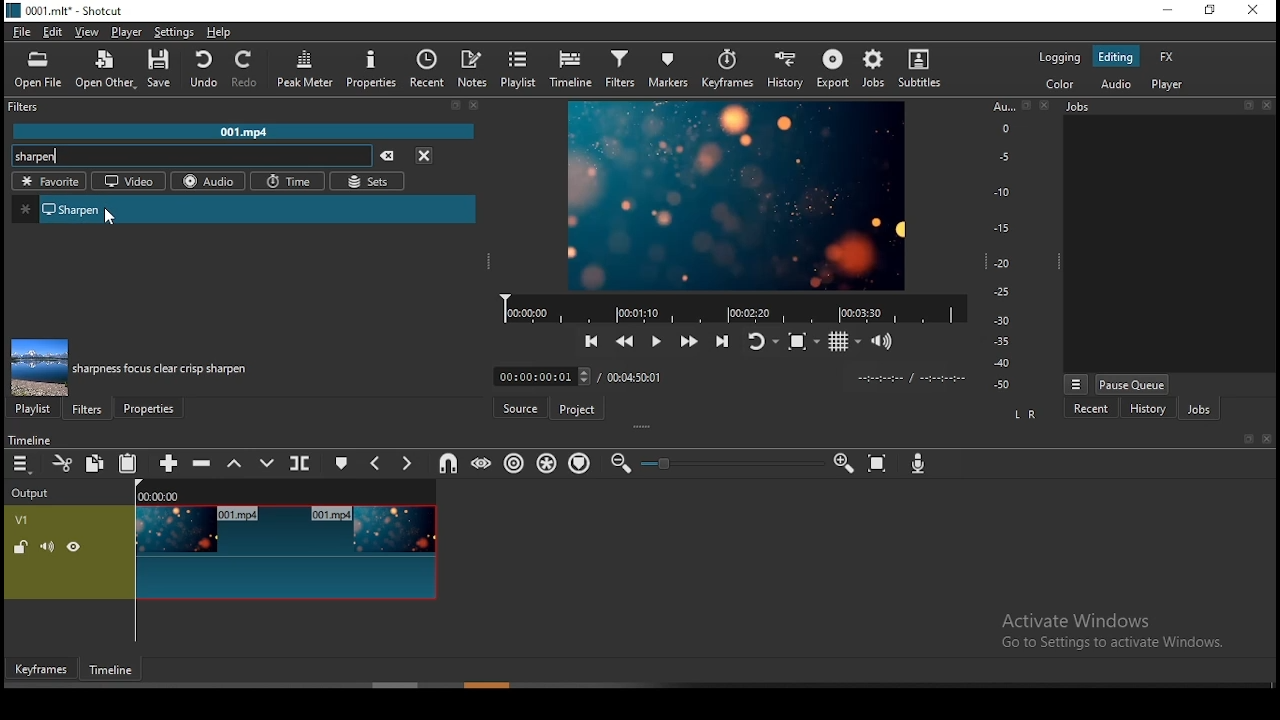 The height and width of the screenshot is (720, 1280). What do you see at coordinates (162, 464) in the screenshot?
I see `append` at bounding box center [162, 464].